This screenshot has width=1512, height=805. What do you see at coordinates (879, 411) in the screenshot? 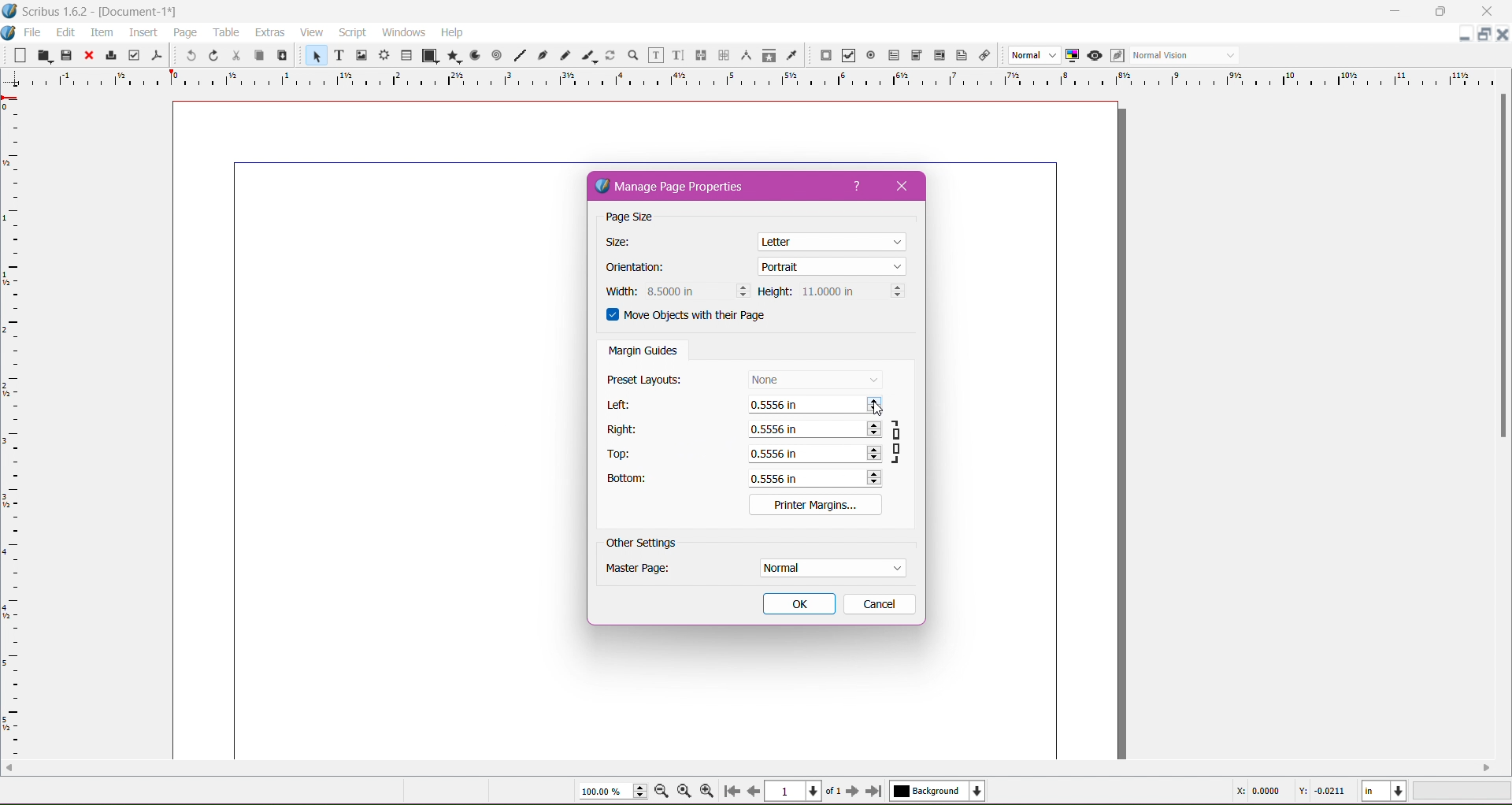
I see `Cursor` at bounding box center [879, 411].